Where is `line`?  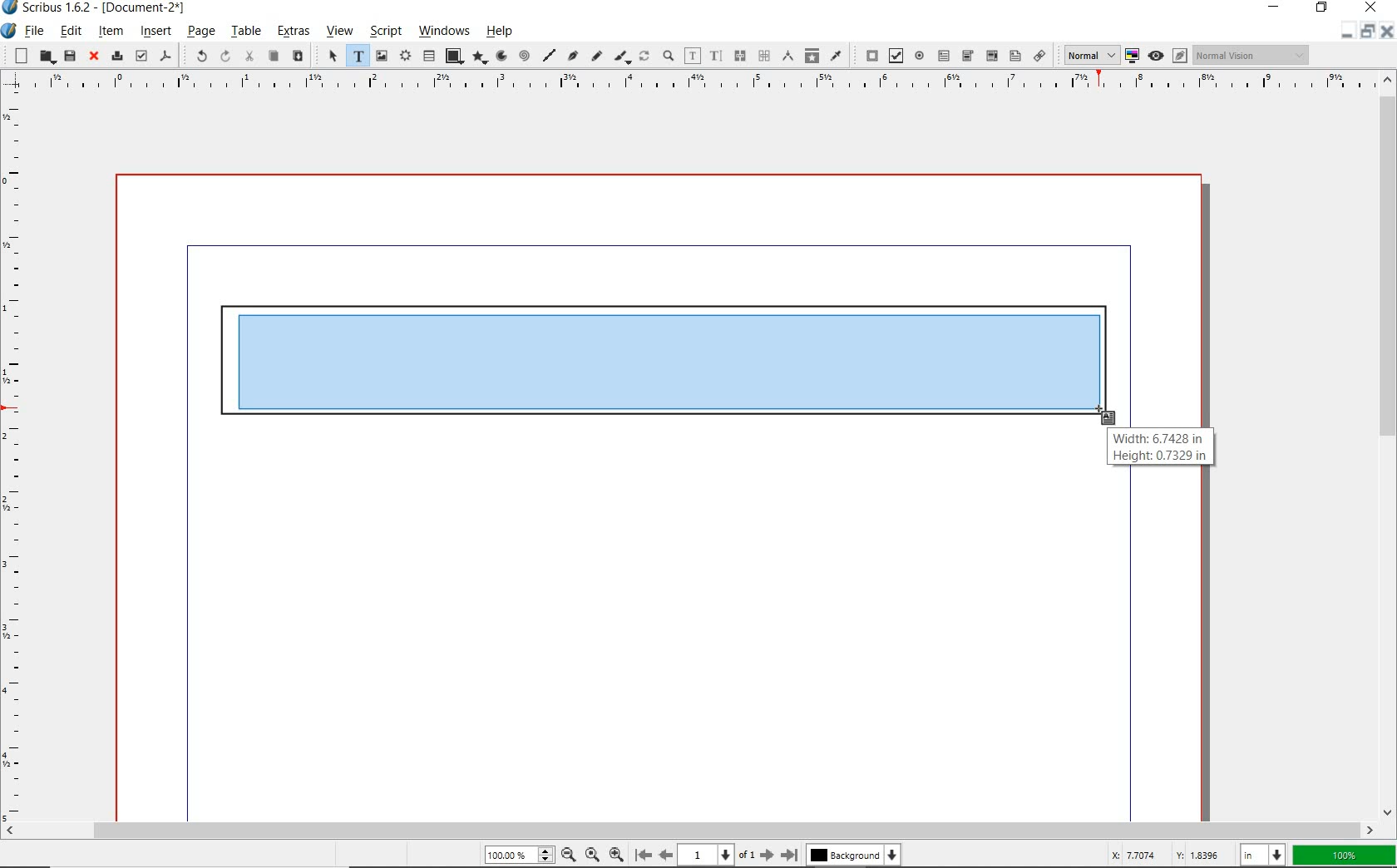
line is located at coordinates (550, 55).